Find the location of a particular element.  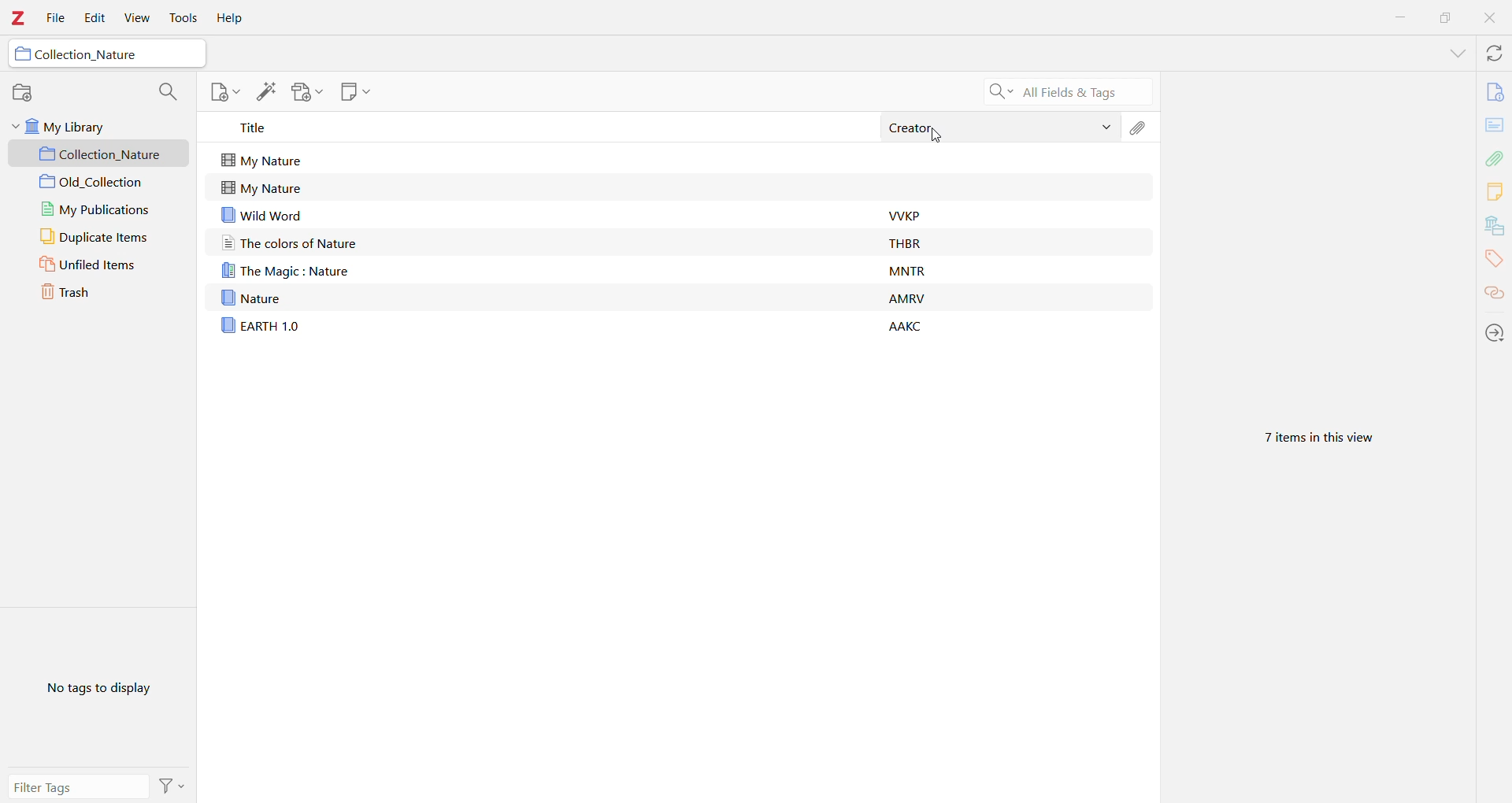

My nature is located at coordinates (272, 187).